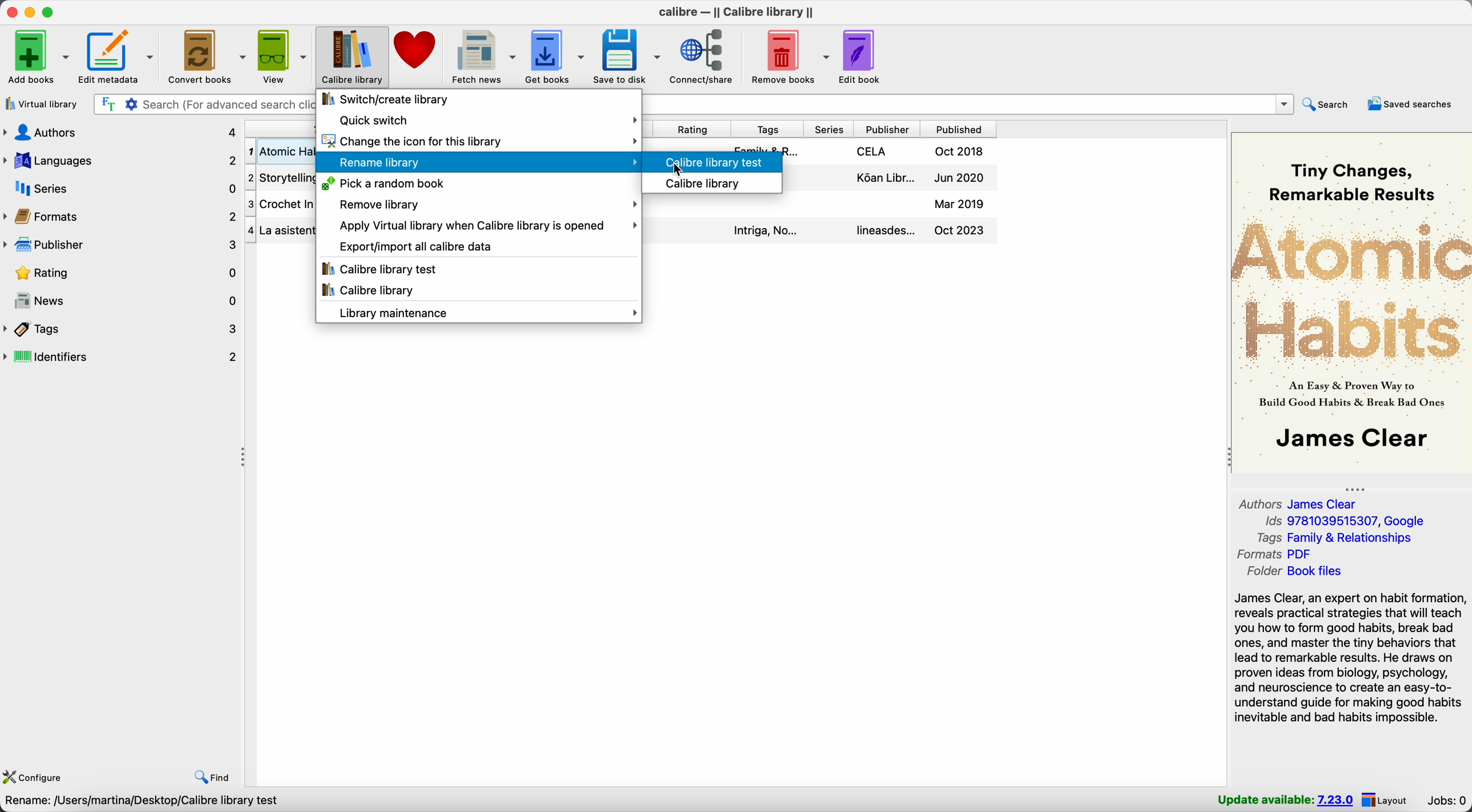  I want to click on identifiers, so click(122, 358).